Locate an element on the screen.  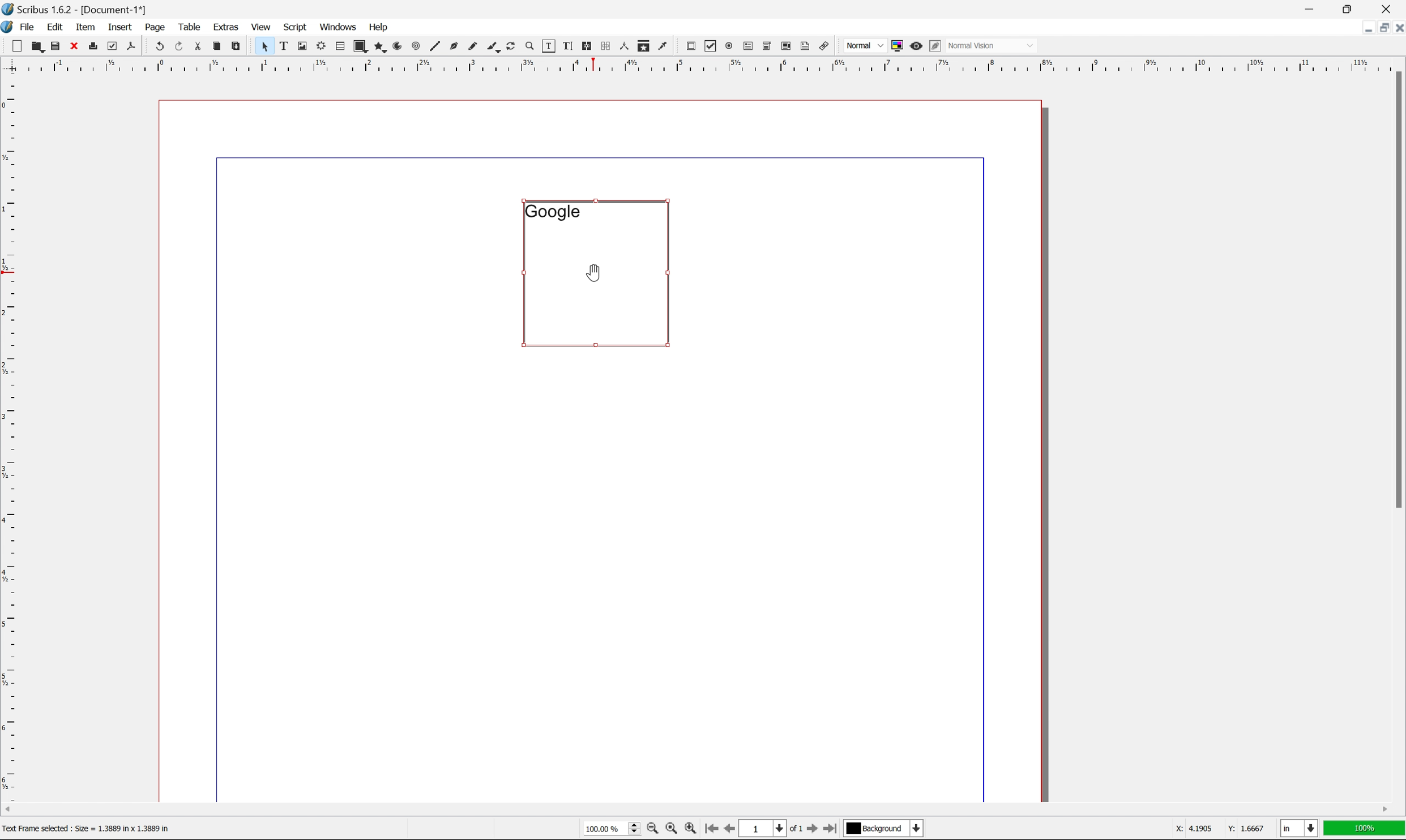
scroll bar is located at coordinates (1396, 289).